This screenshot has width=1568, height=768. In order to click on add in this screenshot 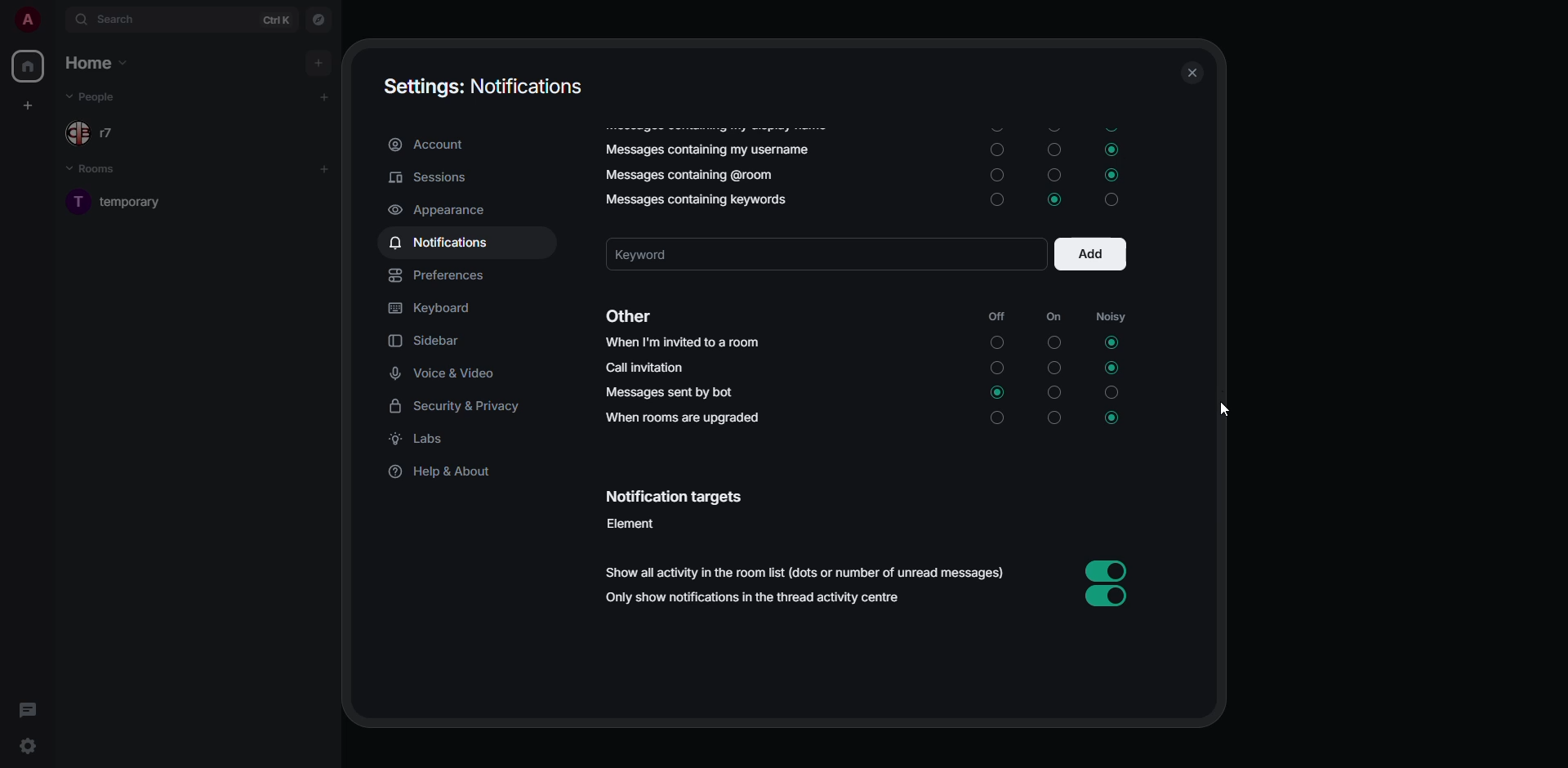, I will do `click(1092, 254)`.